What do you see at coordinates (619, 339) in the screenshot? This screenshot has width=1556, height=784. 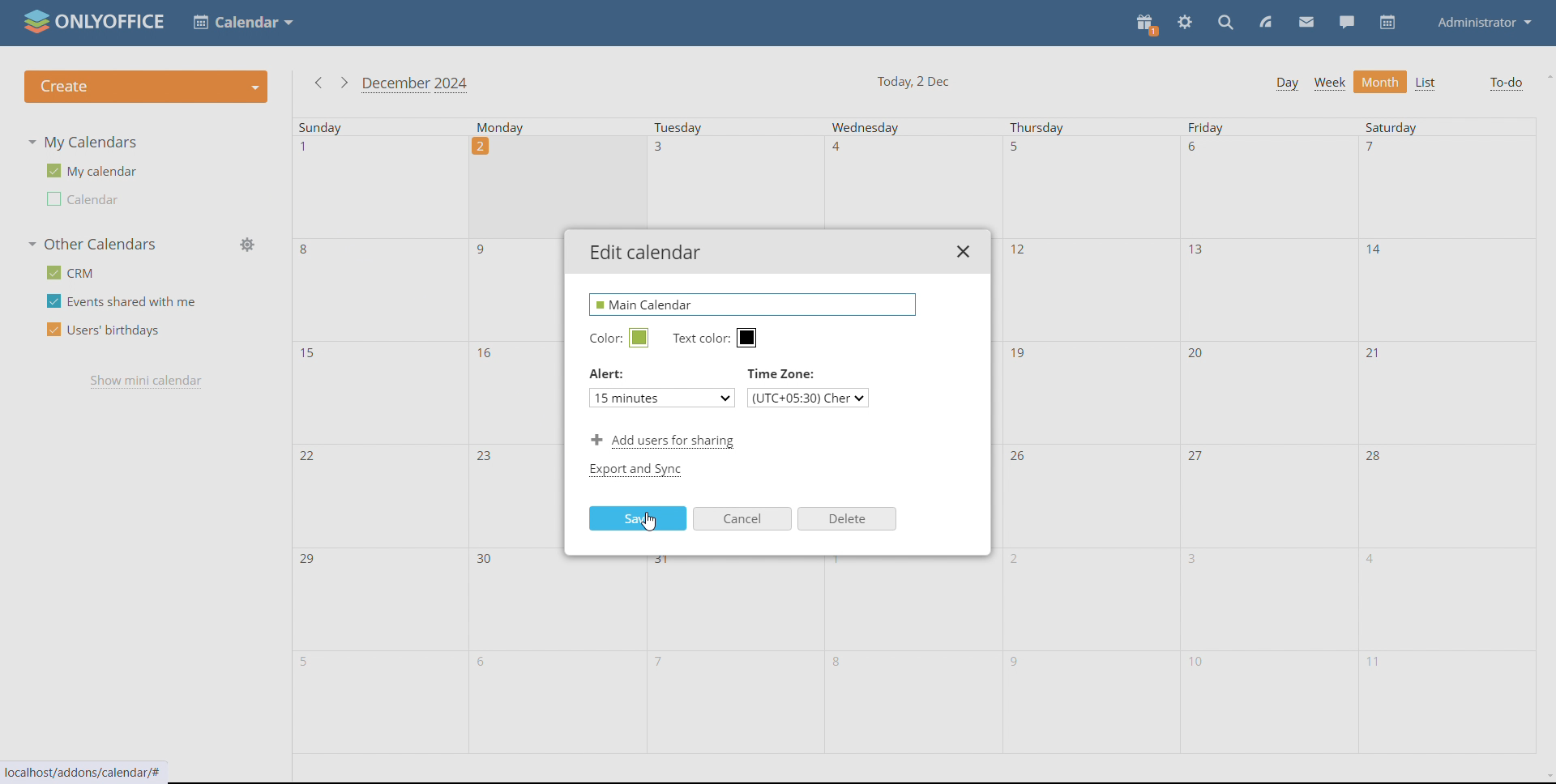 I see `edit calendar color` at bounding box center [619, 339].